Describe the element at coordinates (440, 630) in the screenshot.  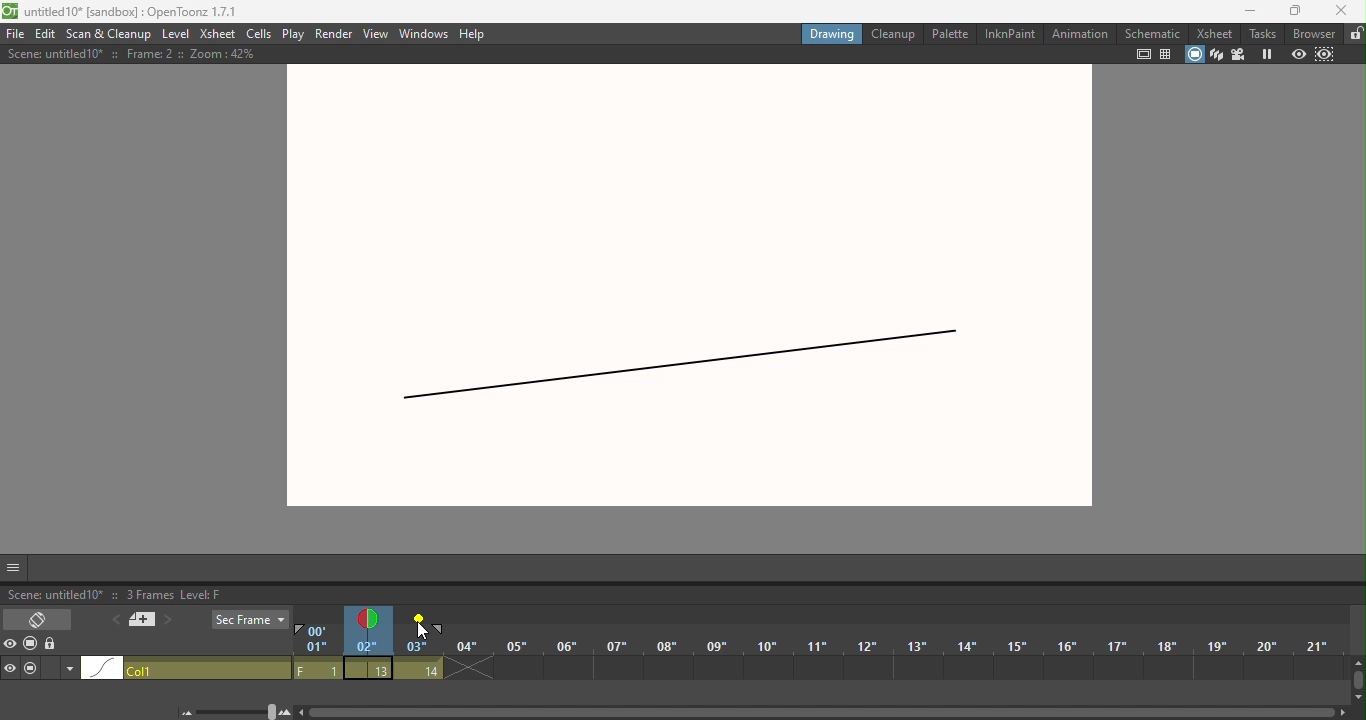
I see `Playback end marker` at that location.